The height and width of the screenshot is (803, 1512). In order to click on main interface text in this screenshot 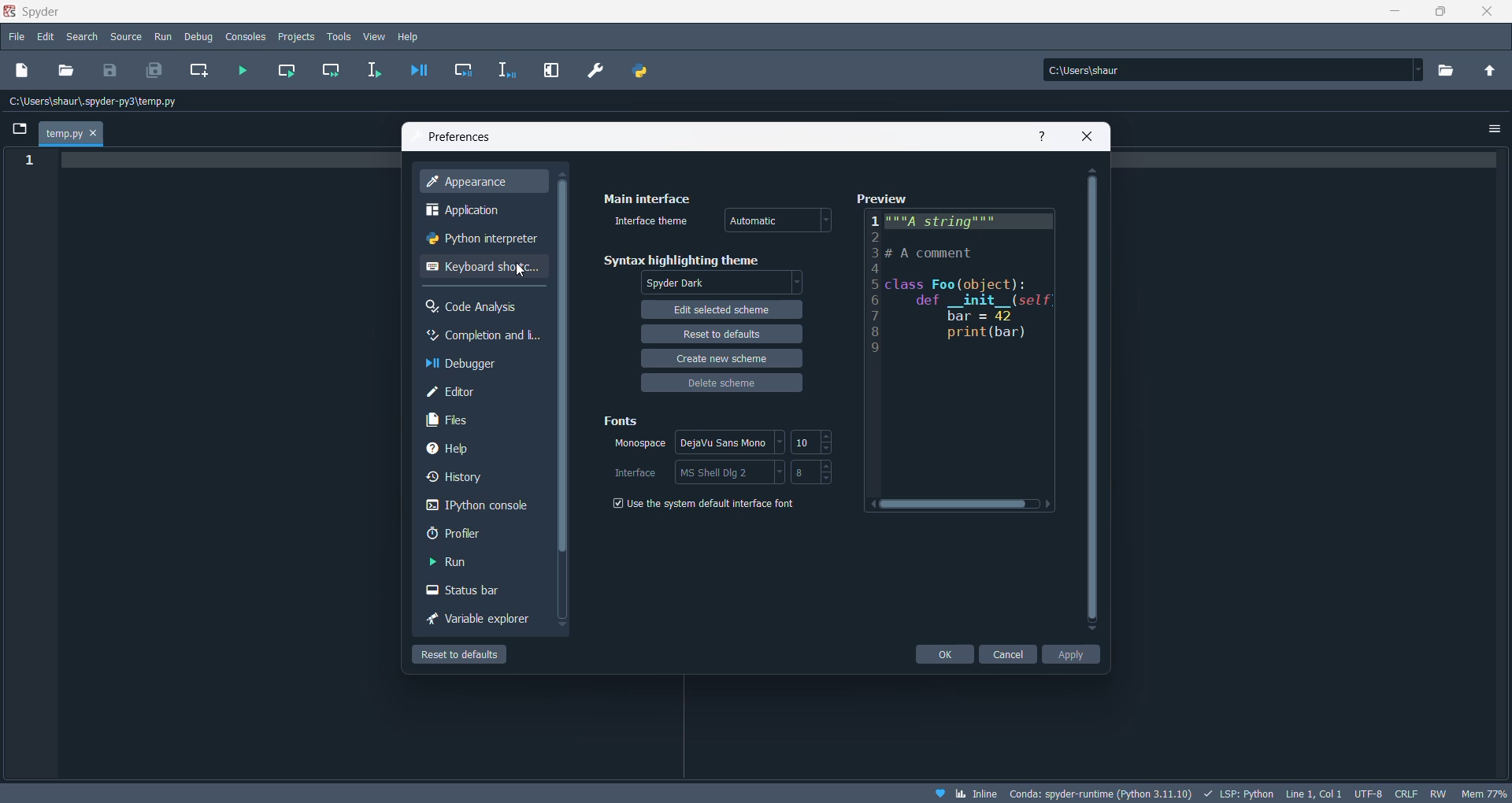, I will do `click(646, 200)`.